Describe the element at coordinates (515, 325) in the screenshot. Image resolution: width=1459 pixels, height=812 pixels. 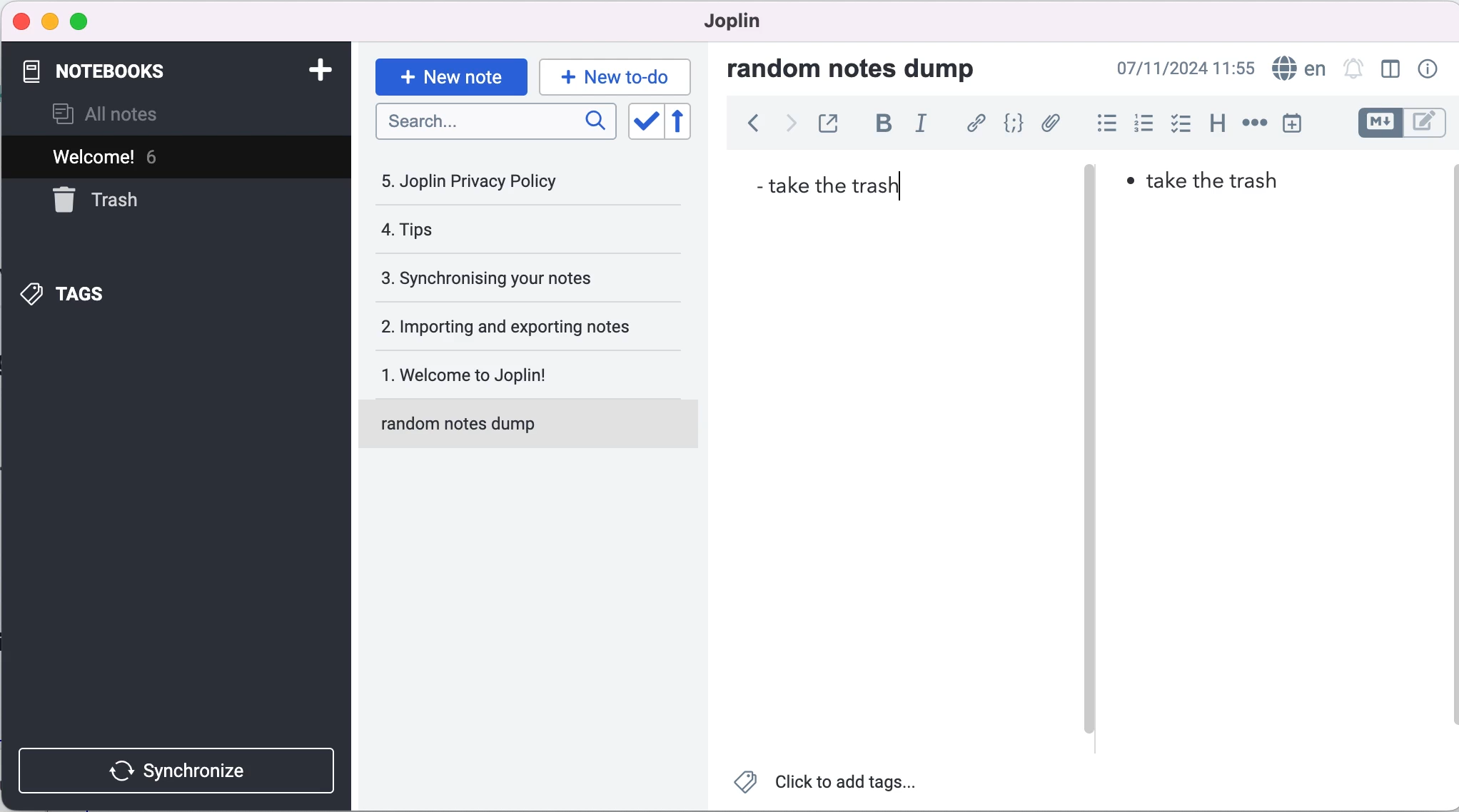
I see `importing and exporting notes` at that location.